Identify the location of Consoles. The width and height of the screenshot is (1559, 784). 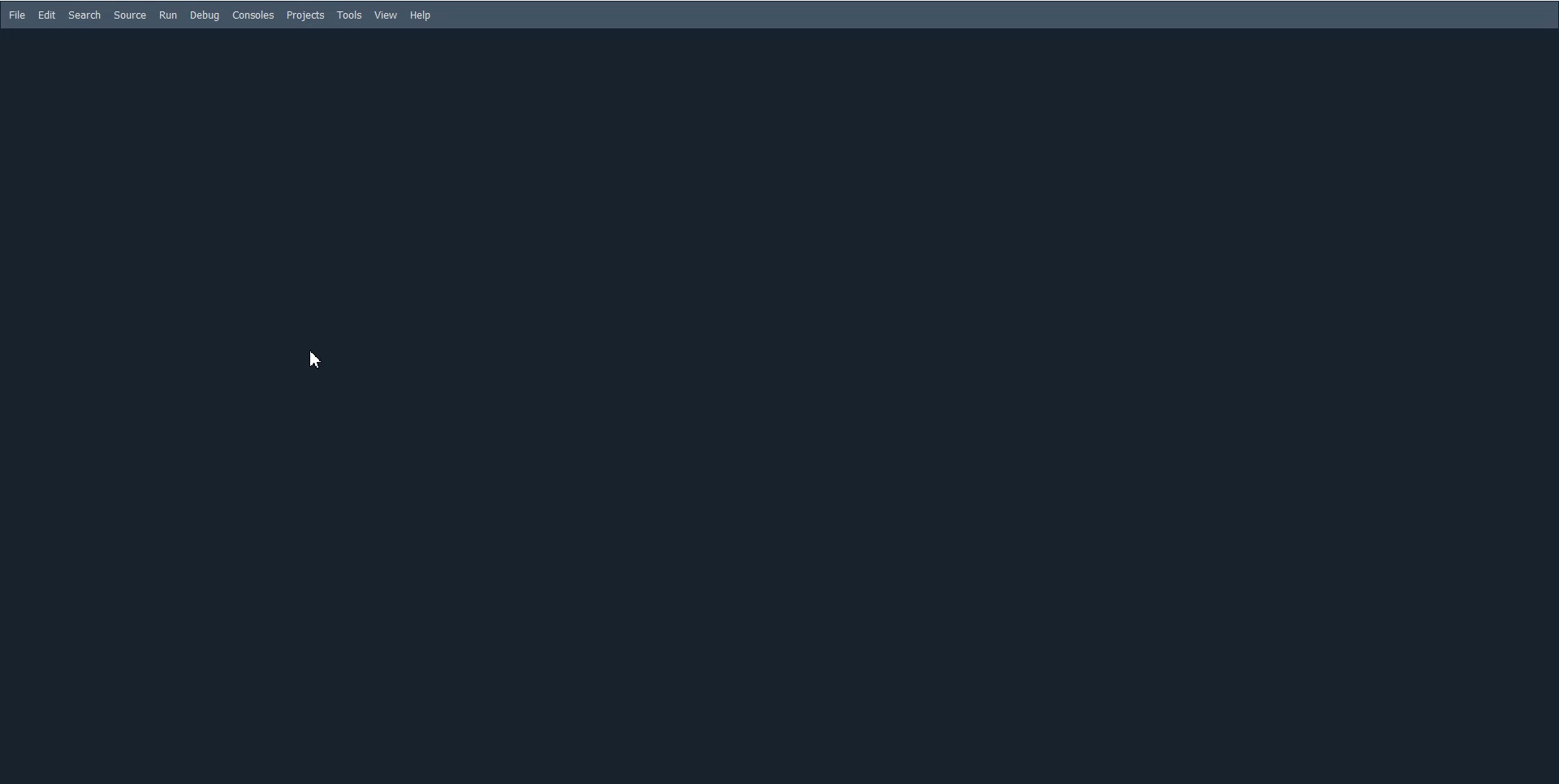
(253, 15).